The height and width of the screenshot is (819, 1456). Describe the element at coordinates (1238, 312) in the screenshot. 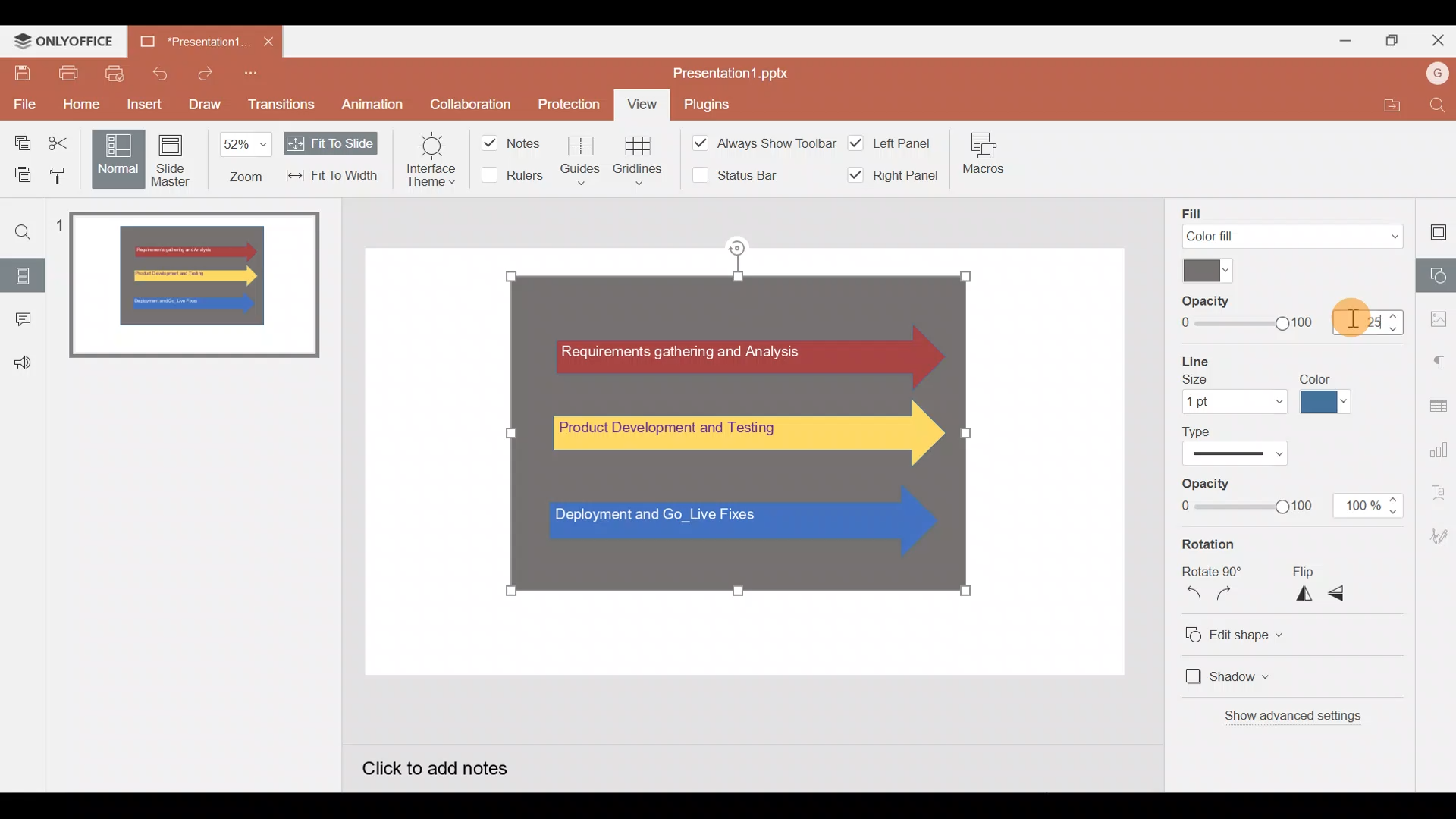

I see `Opacity level slider` at that location.